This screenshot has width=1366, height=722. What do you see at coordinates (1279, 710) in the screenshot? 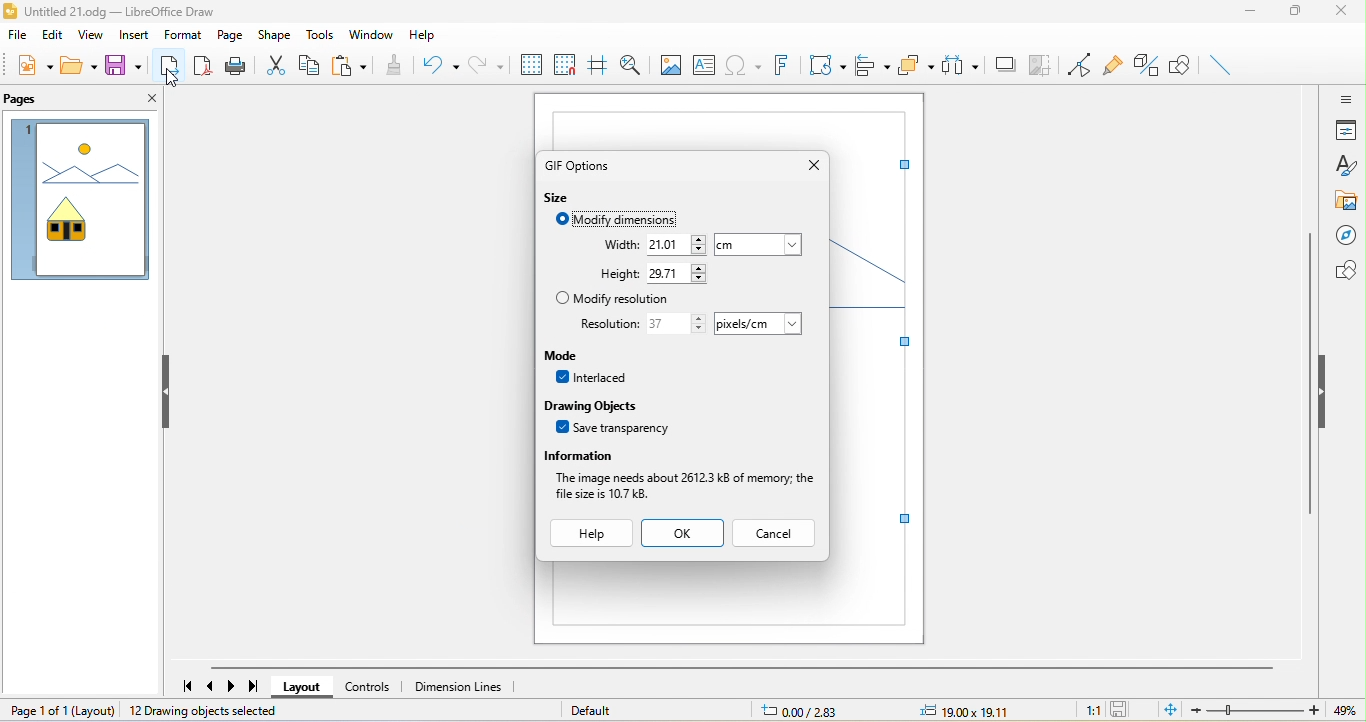
I see `zoom` at bounding box center [1279, 710].